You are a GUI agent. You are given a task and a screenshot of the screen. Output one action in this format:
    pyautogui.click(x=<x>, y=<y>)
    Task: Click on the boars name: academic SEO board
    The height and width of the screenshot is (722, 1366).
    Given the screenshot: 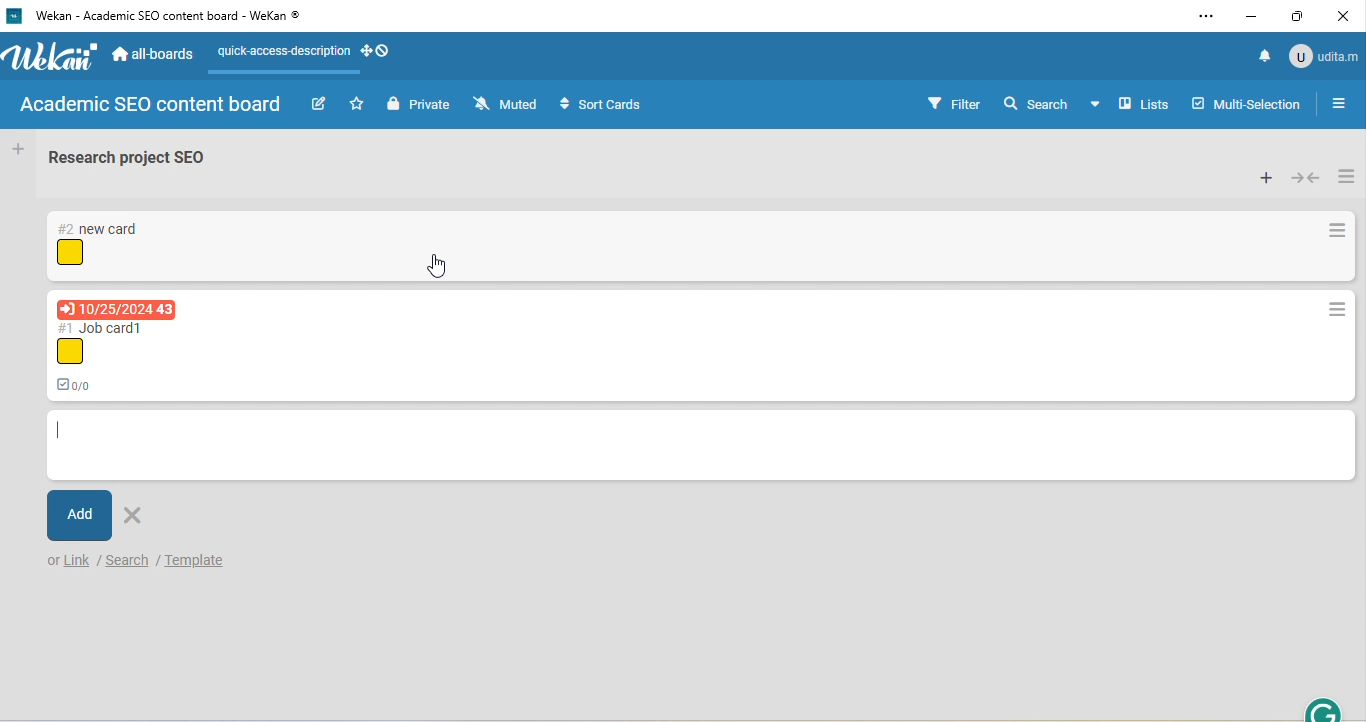 What is the action you would take?
    pyautogui.click(x=149, y=106)
    